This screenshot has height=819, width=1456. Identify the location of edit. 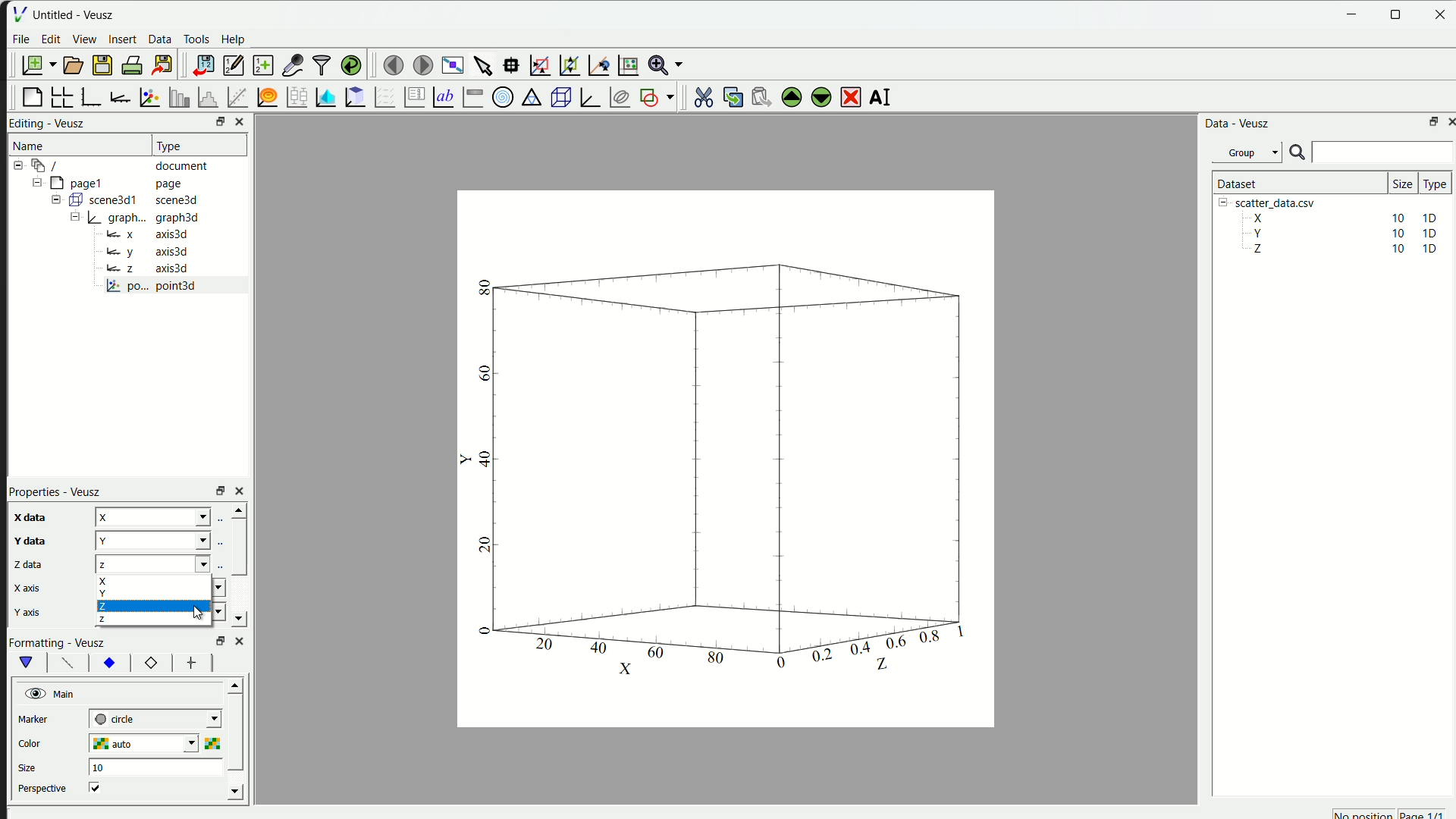
(50, 39).